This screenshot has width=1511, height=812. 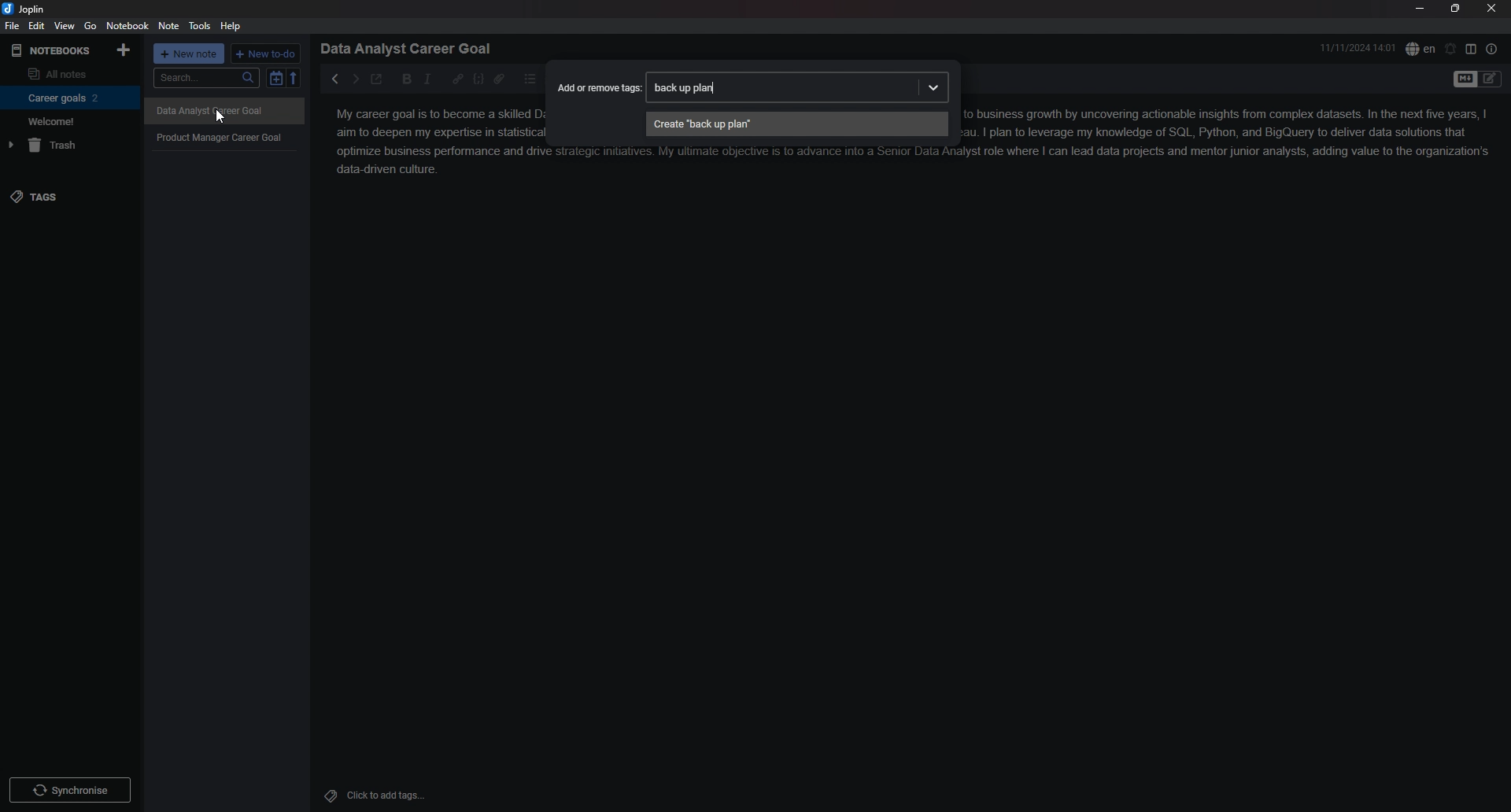 I want to click on all notes, so click(x=67, y=72).